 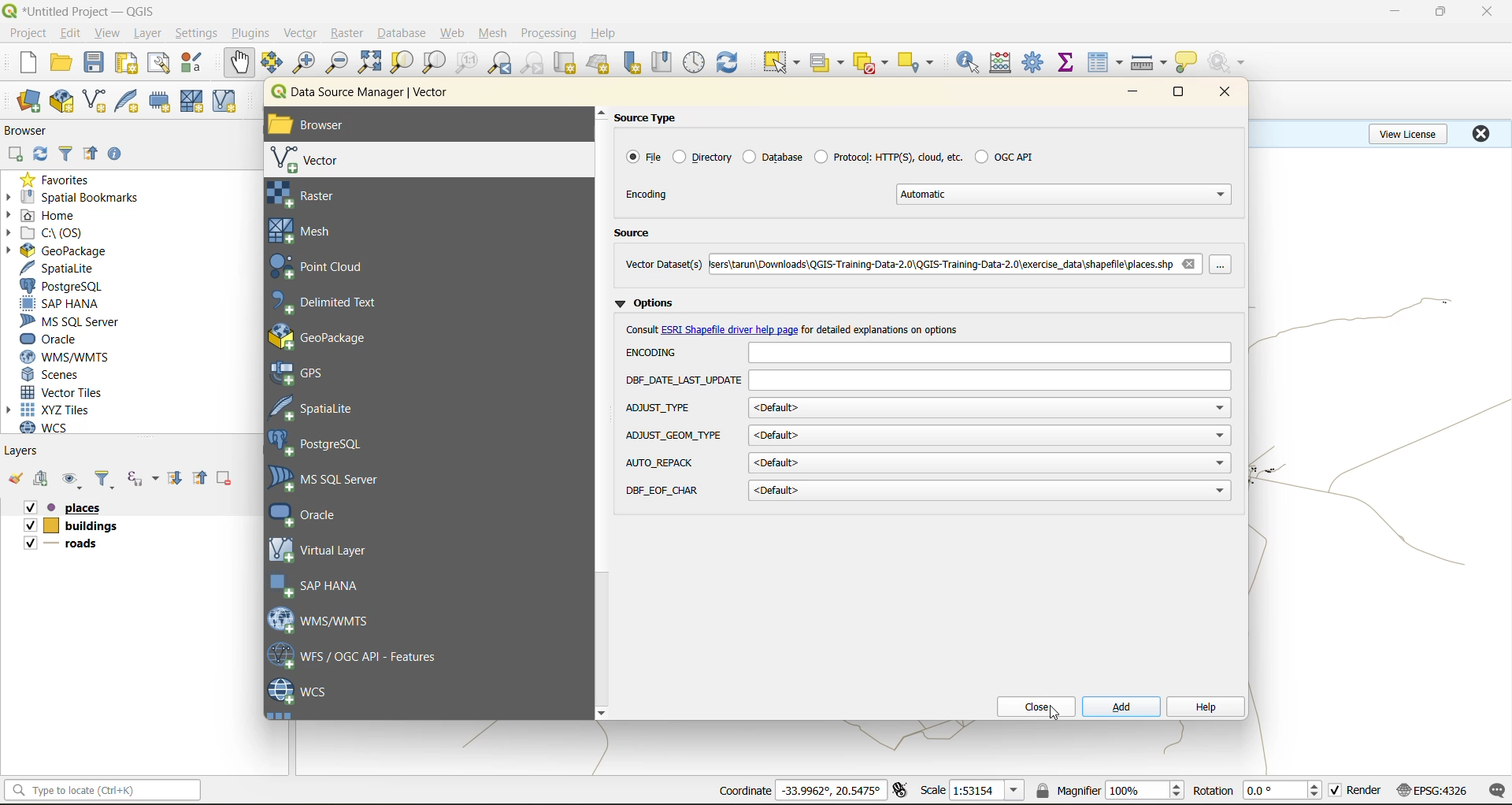 I want to click on new mesh layer, so click(x=195, y=103).